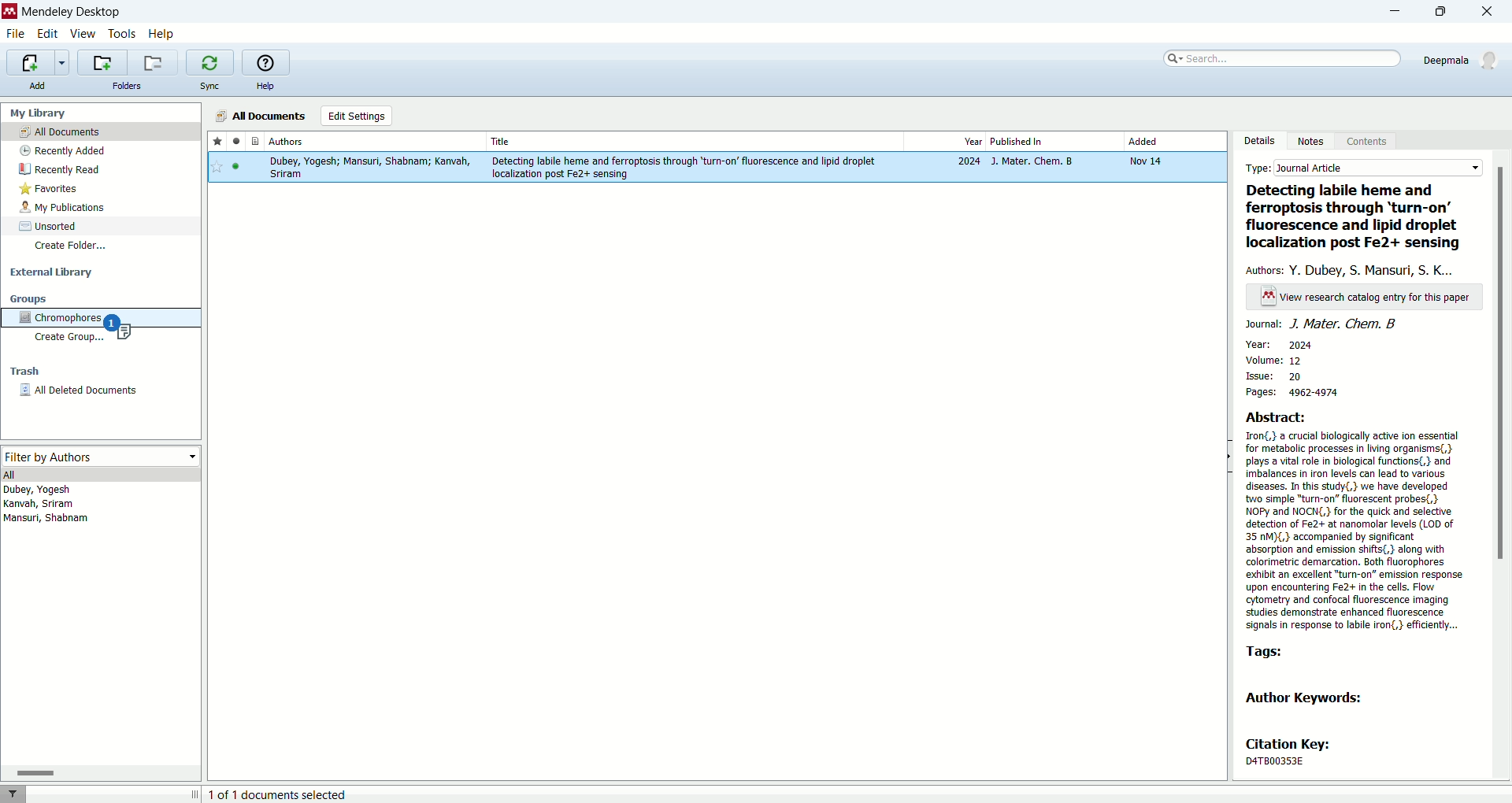 The width and height of the screenshot is (1512, 803). What do you see at coordinates (309, 794) in the screenshot?
I see `Il 1 of 1 documents selected` at bounding box center [309, 794].